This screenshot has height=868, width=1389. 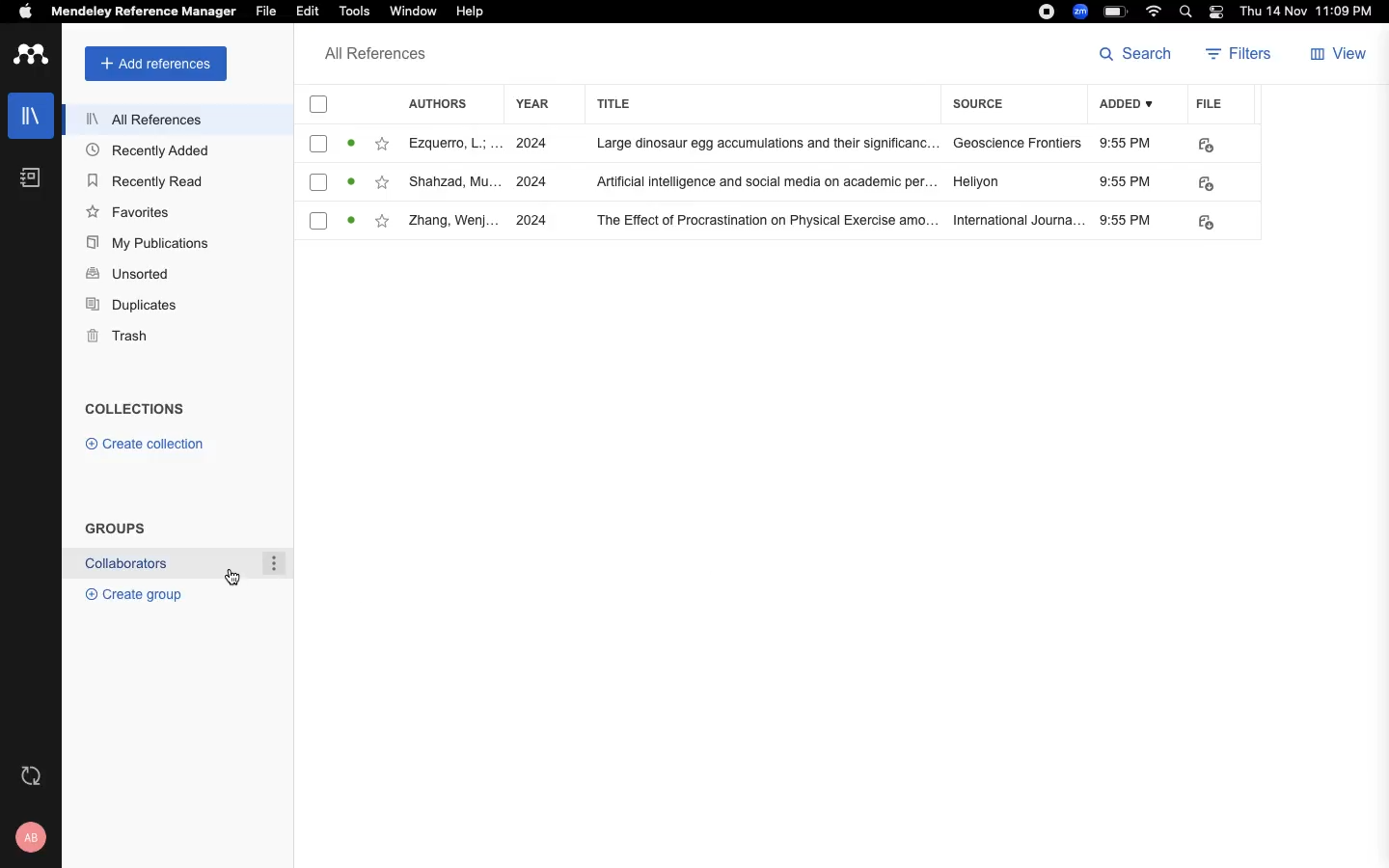 I want to click on Added time, so click(x=1126, y=181).